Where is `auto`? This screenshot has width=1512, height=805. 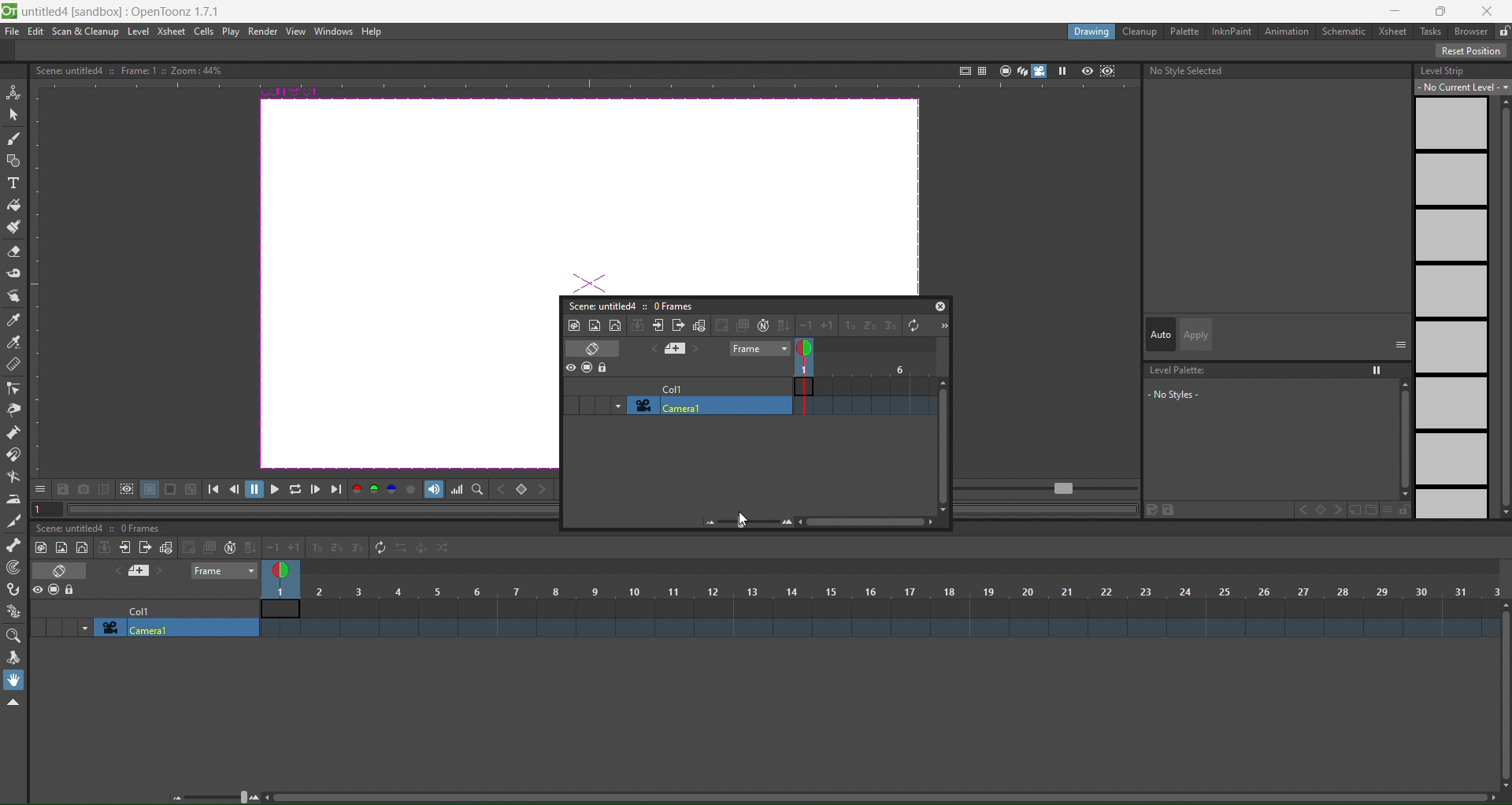
auto is located at coordinates (1161, 336).